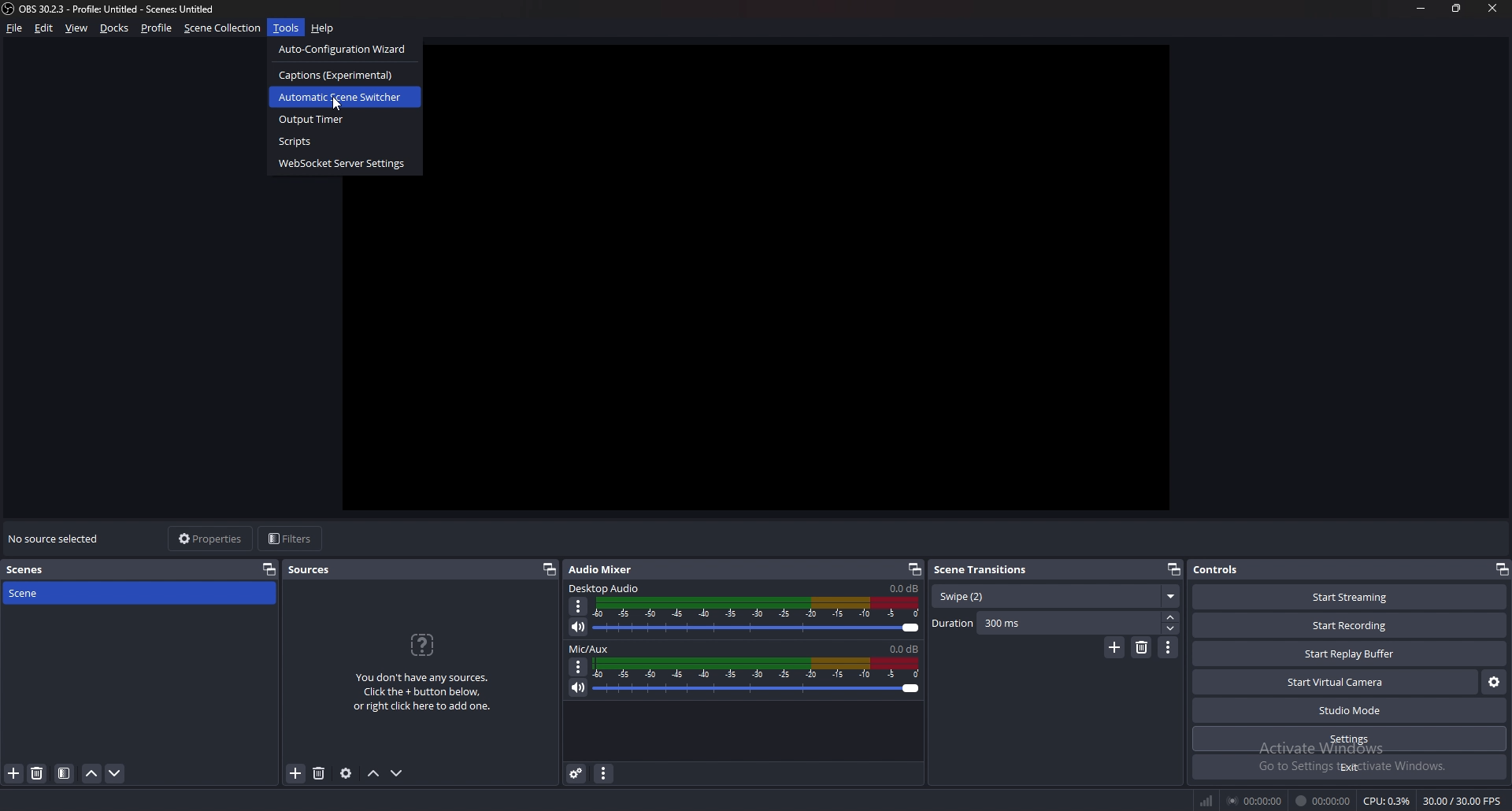  Describe the element at coordinates (904, 589) in the screenshot. I see `volume level` at that location.